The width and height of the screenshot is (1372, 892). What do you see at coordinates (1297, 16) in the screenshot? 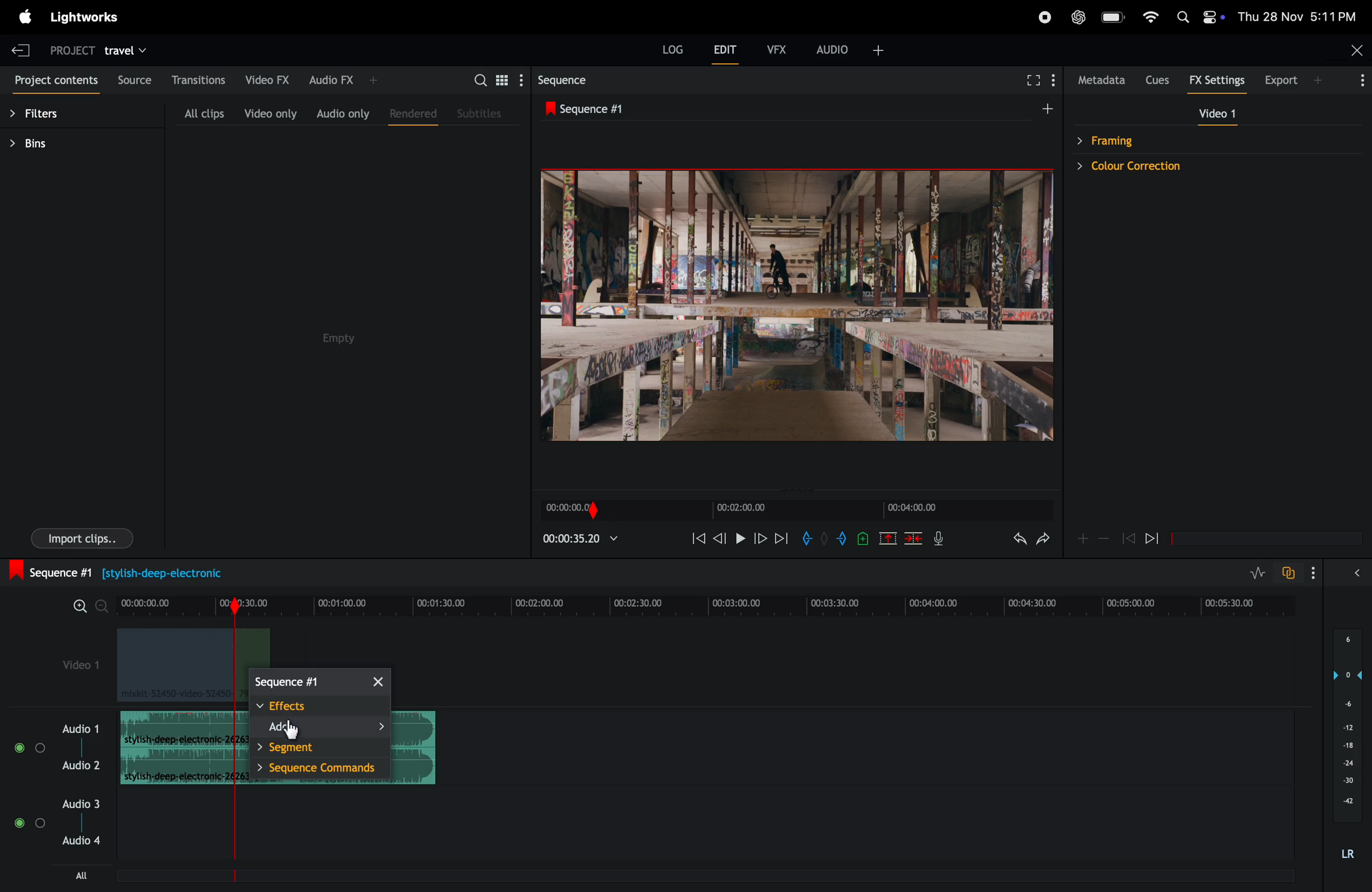
I see `date and time` at bounding box center [1297, 16].